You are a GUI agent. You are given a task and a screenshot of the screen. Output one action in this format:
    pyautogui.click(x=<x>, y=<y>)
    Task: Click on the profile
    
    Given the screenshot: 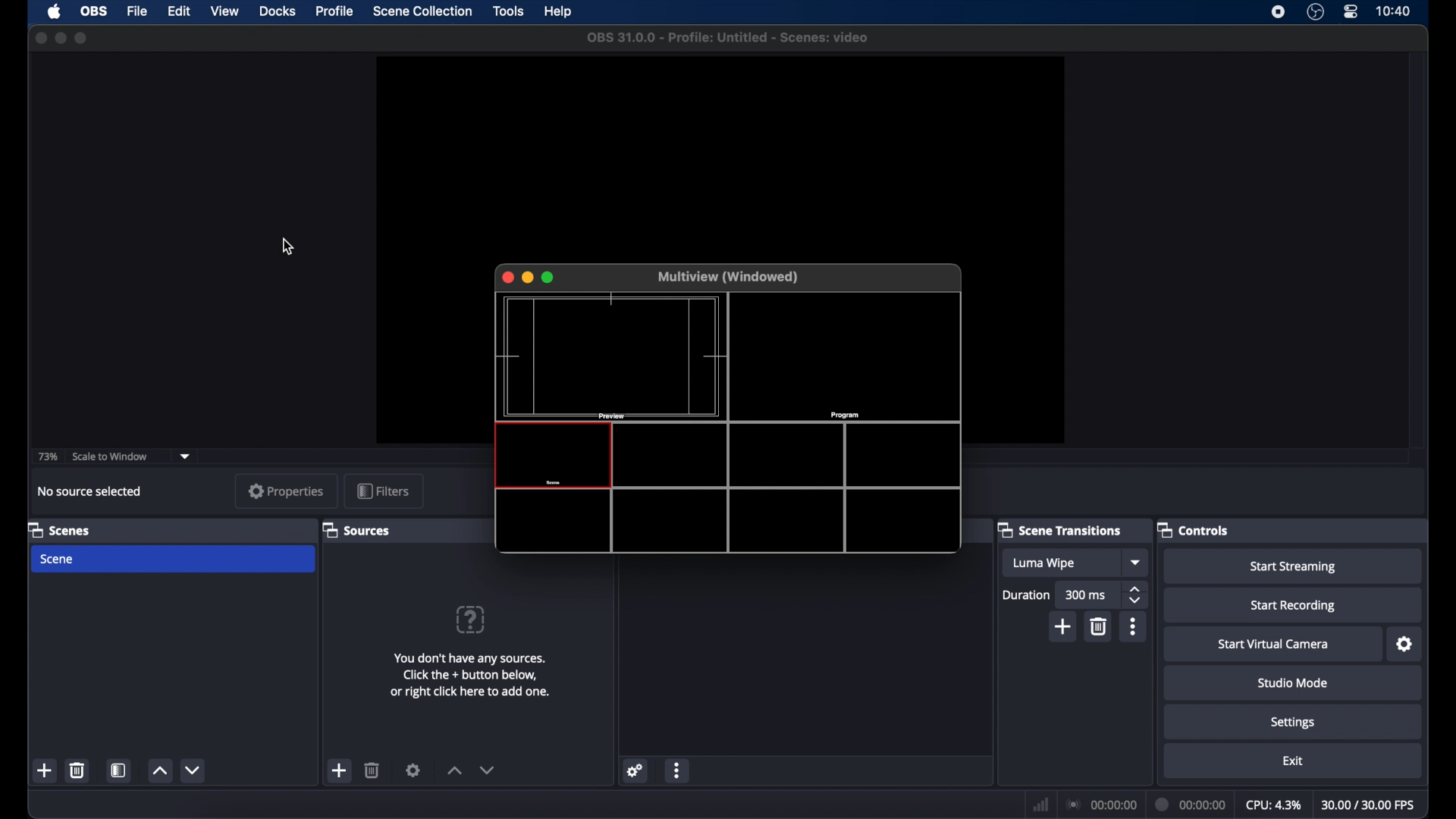 What is the action you would take?
    pyautogui.click(x=336, y=11)
    